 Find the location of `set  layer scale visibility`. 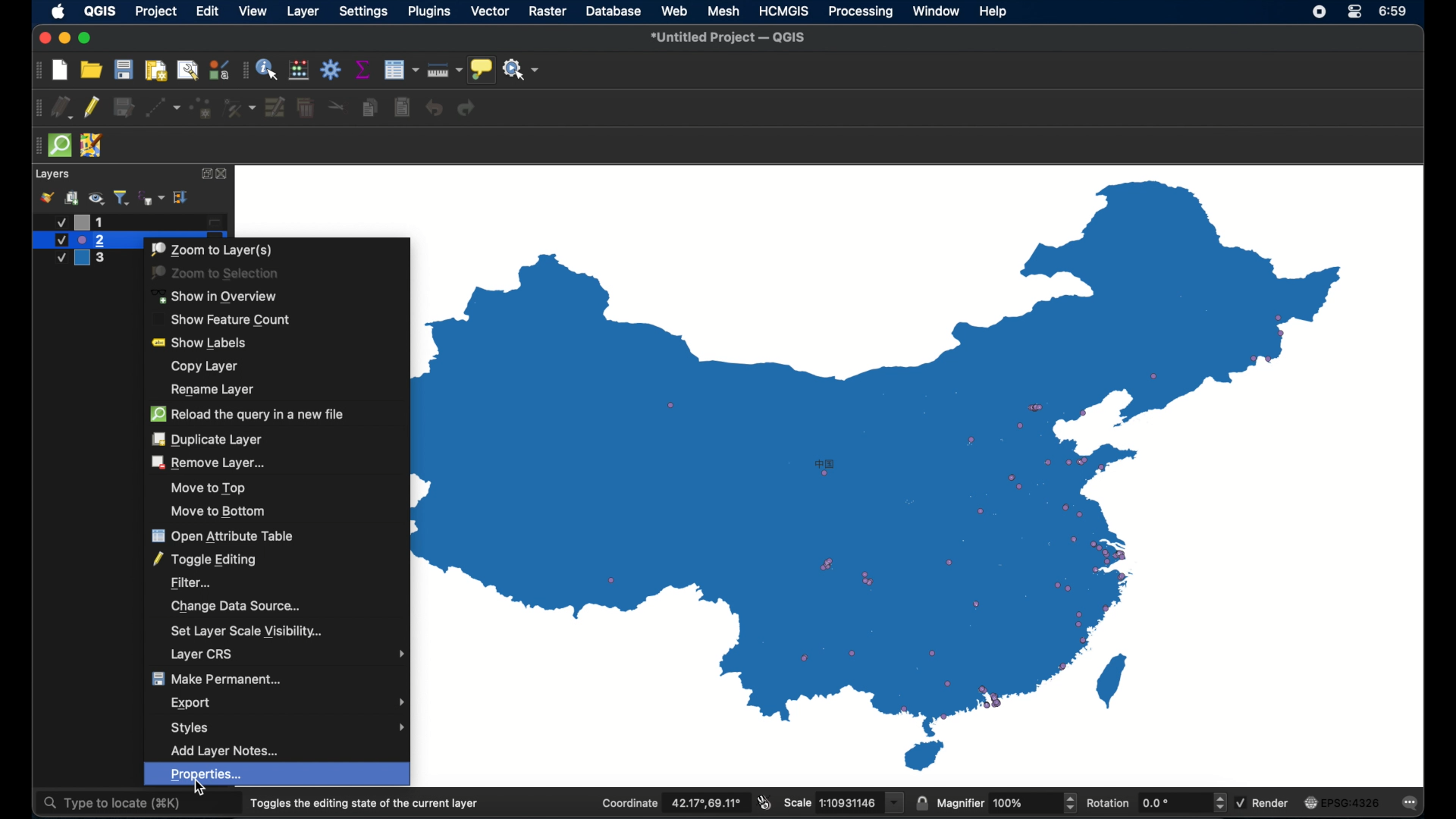

set  layer scale visibility is located at coordinates (245, 631).